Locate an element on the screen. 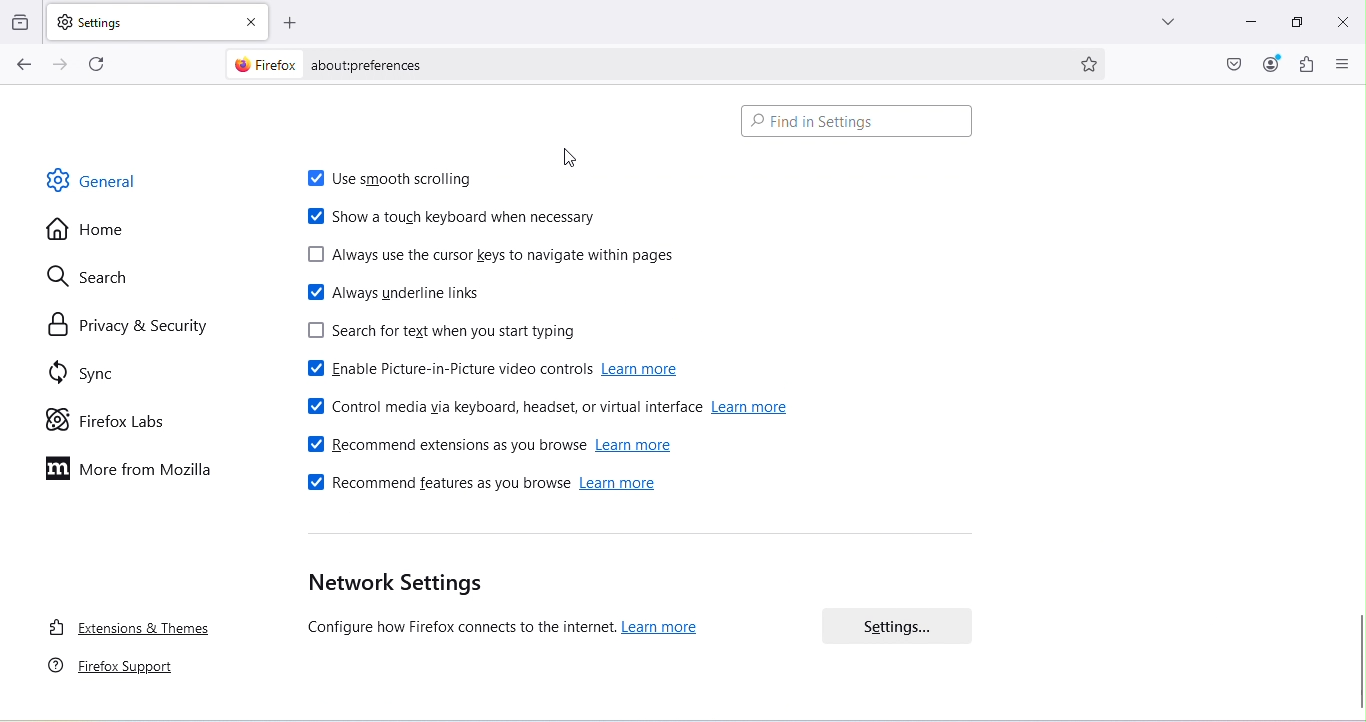 Image resolution: width=1366 pixels, height=722 pixels. List all tabs is located at coordinates (1159, 18).